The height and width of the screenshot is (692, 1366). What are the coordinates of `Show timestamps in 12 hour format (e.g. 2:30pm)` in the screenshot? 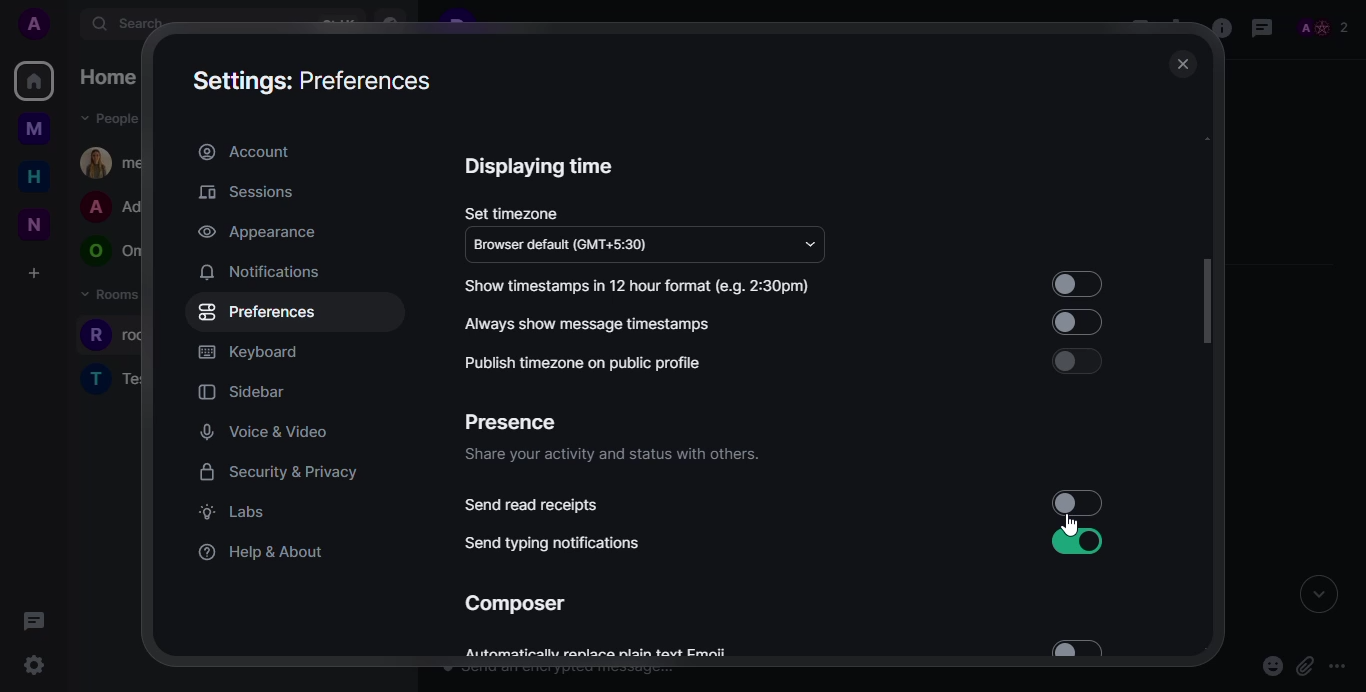 It's located at (642, 286).